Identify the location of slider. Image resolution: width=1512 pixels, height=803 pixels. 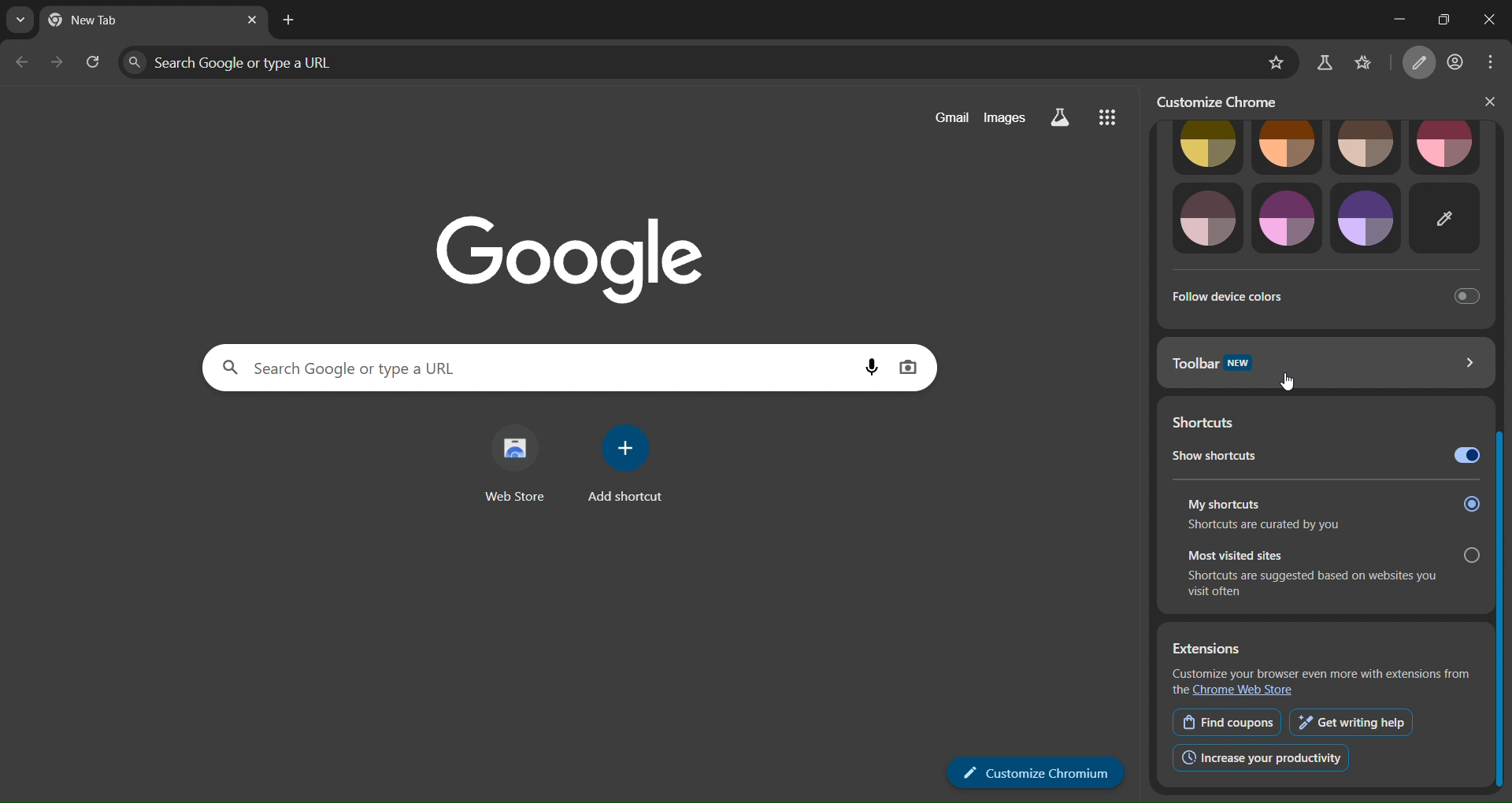
(1503, 473).